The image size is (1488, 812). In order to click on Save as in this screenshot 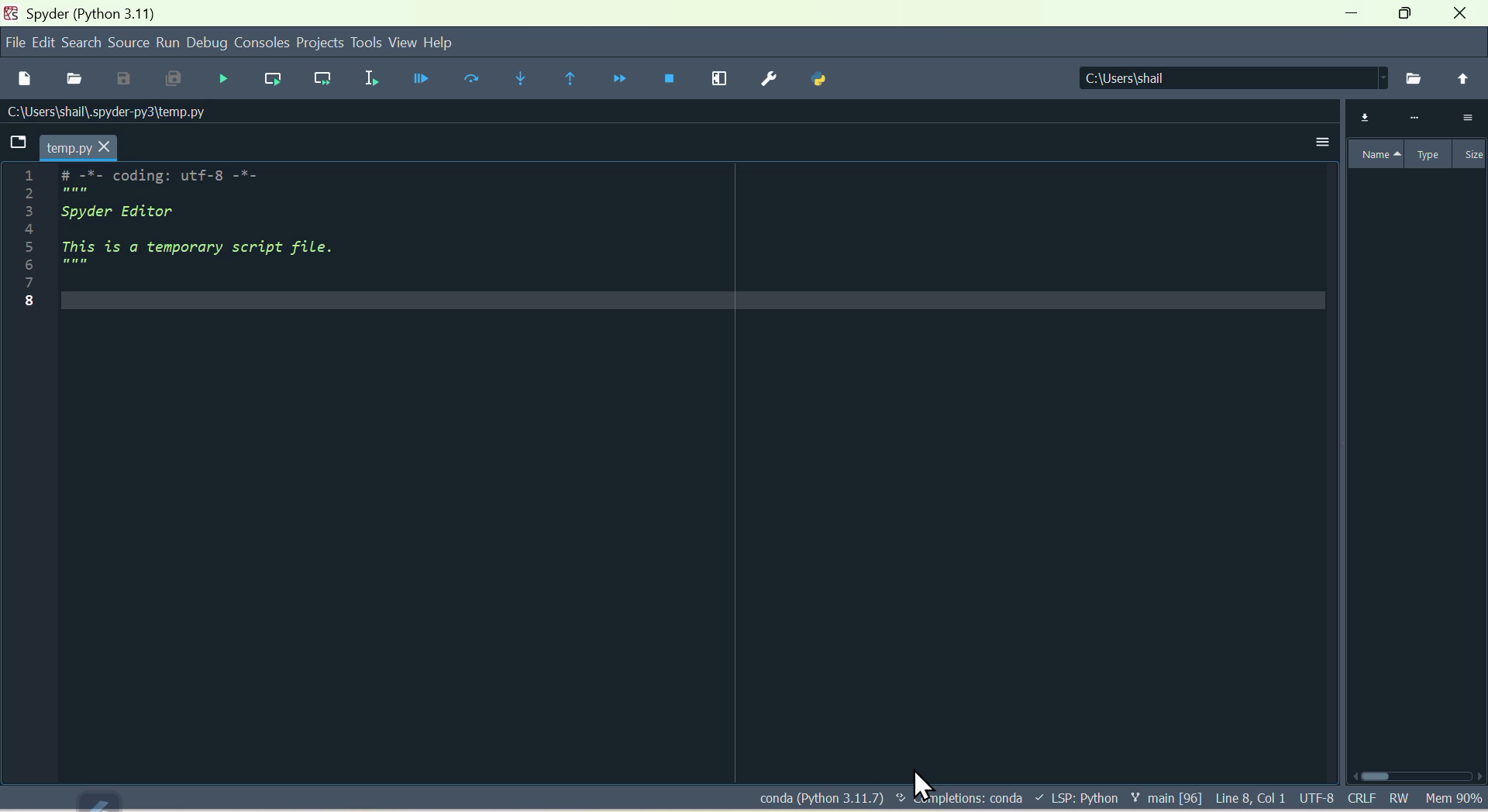, I will do `click(121, 79)`.